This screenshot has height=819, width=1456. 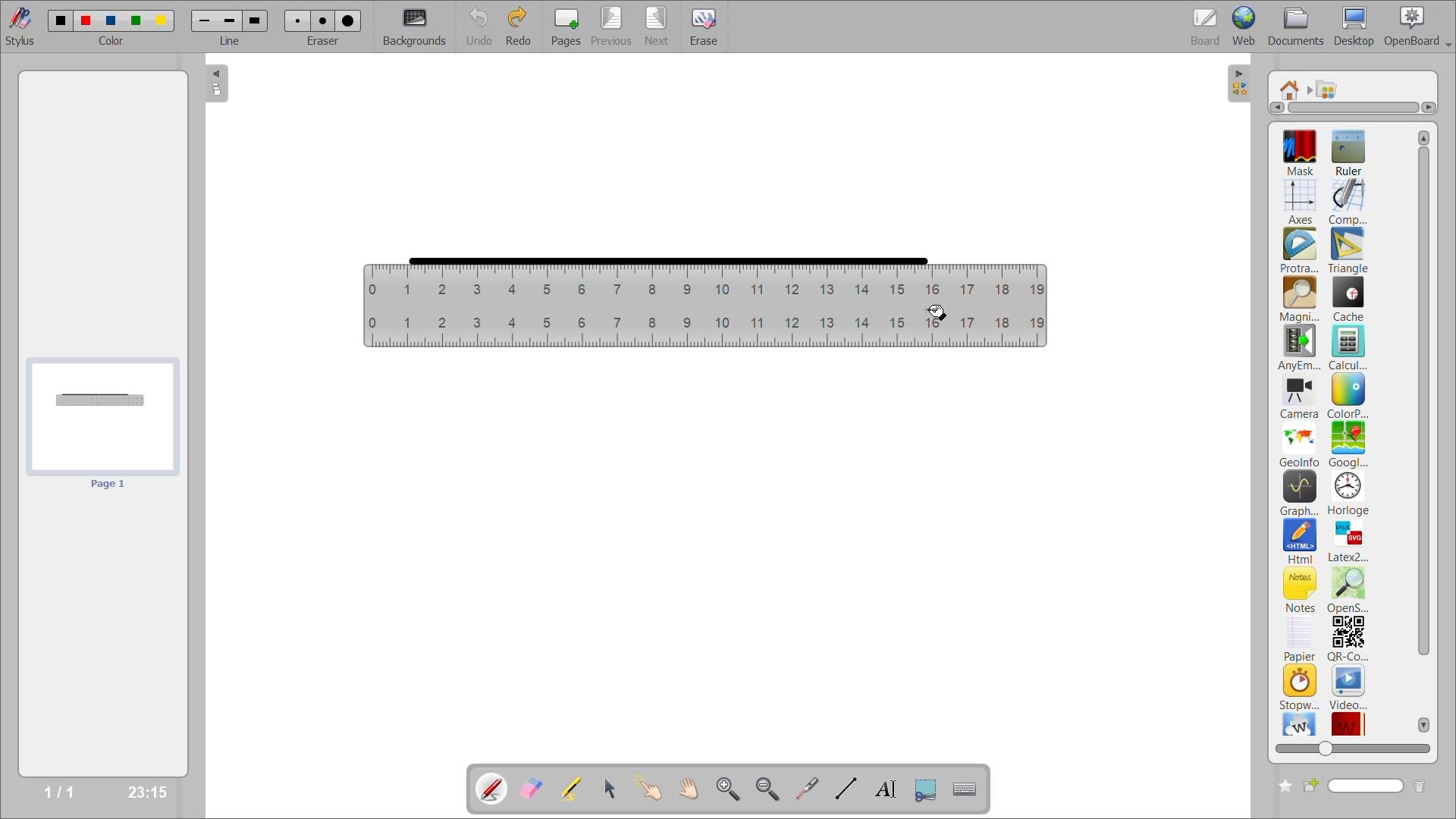 I want to click on documents, so click(x=1298, y=27).